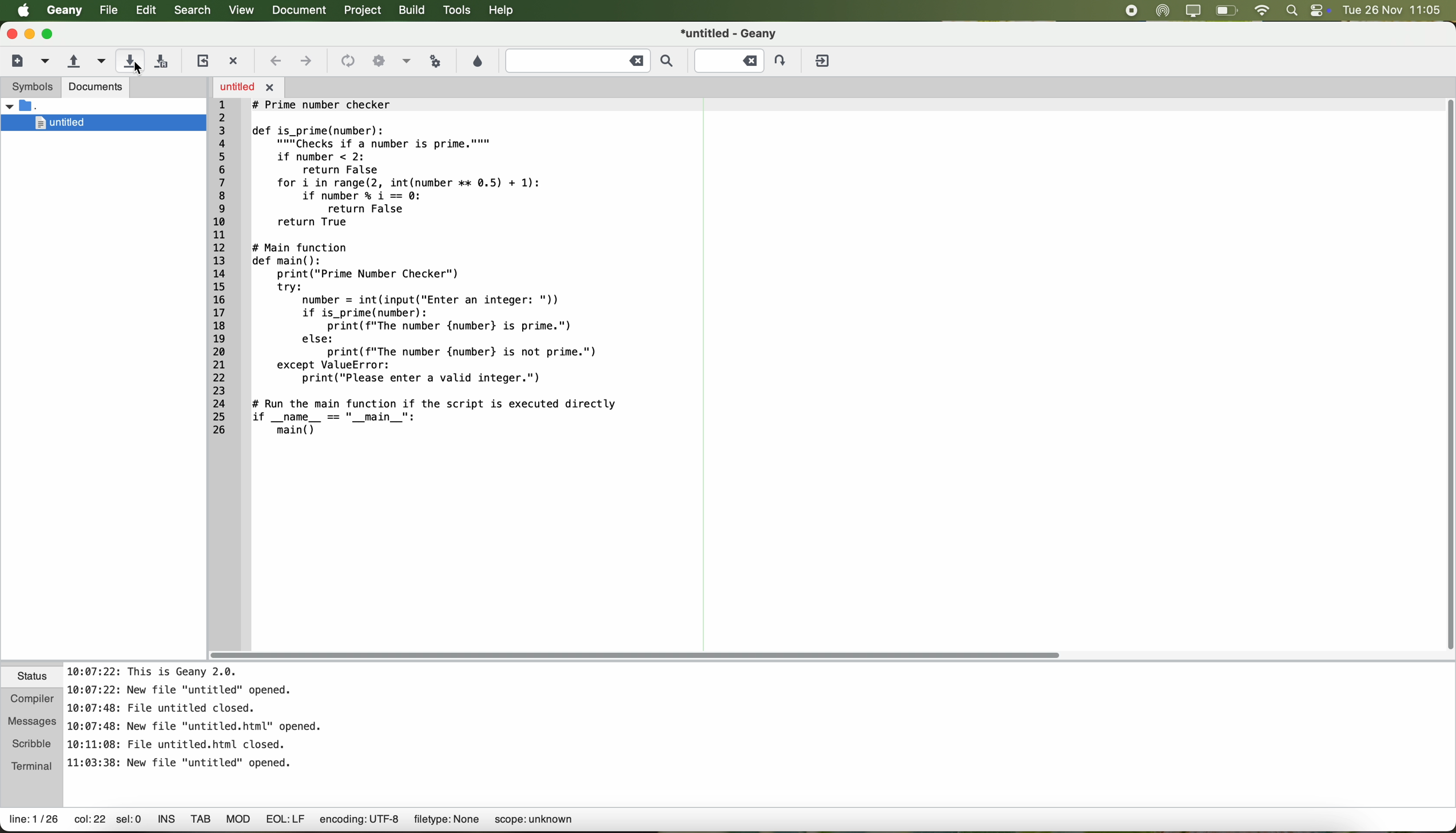 The height and width of the screenshot is (833, 1456). What do you see at coordinates (104, 123) in the screenshot?
I see `untitled file` at bounding box center [104, 123].